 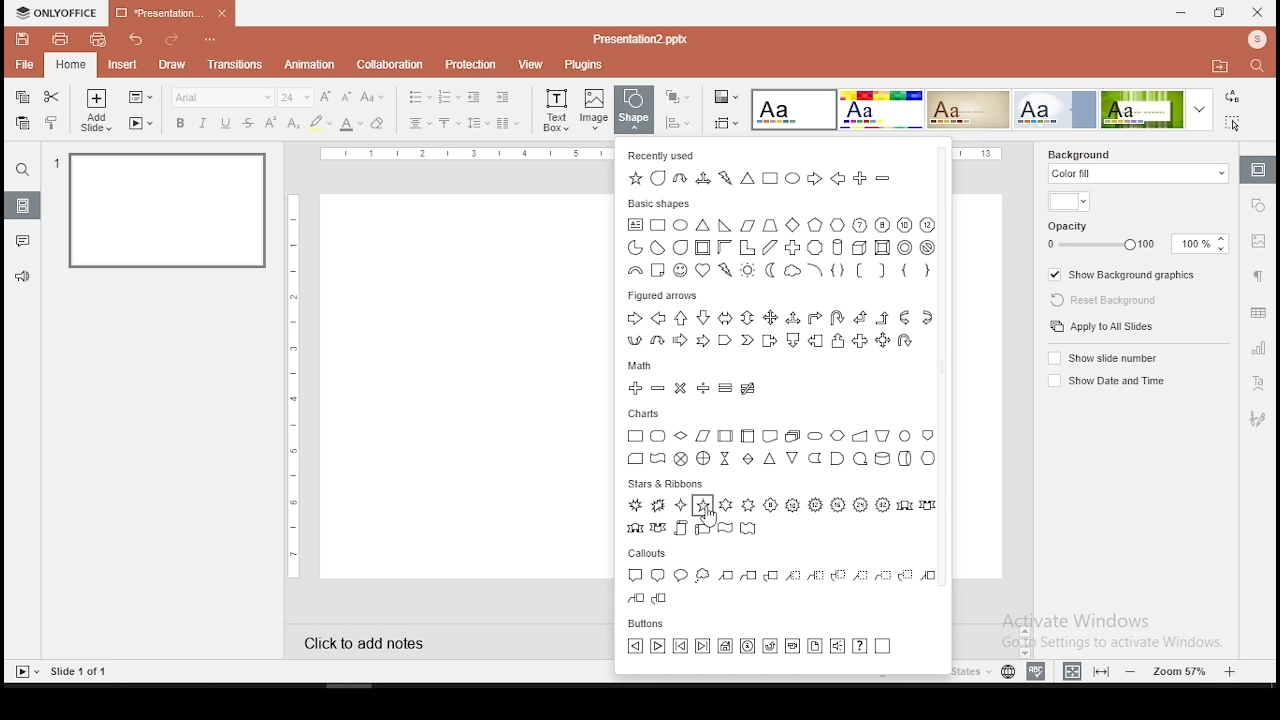 What do you see at coordinates (1068, 203) in the screenshot?
I see `background fill color` at bounding box center [1068, 203].